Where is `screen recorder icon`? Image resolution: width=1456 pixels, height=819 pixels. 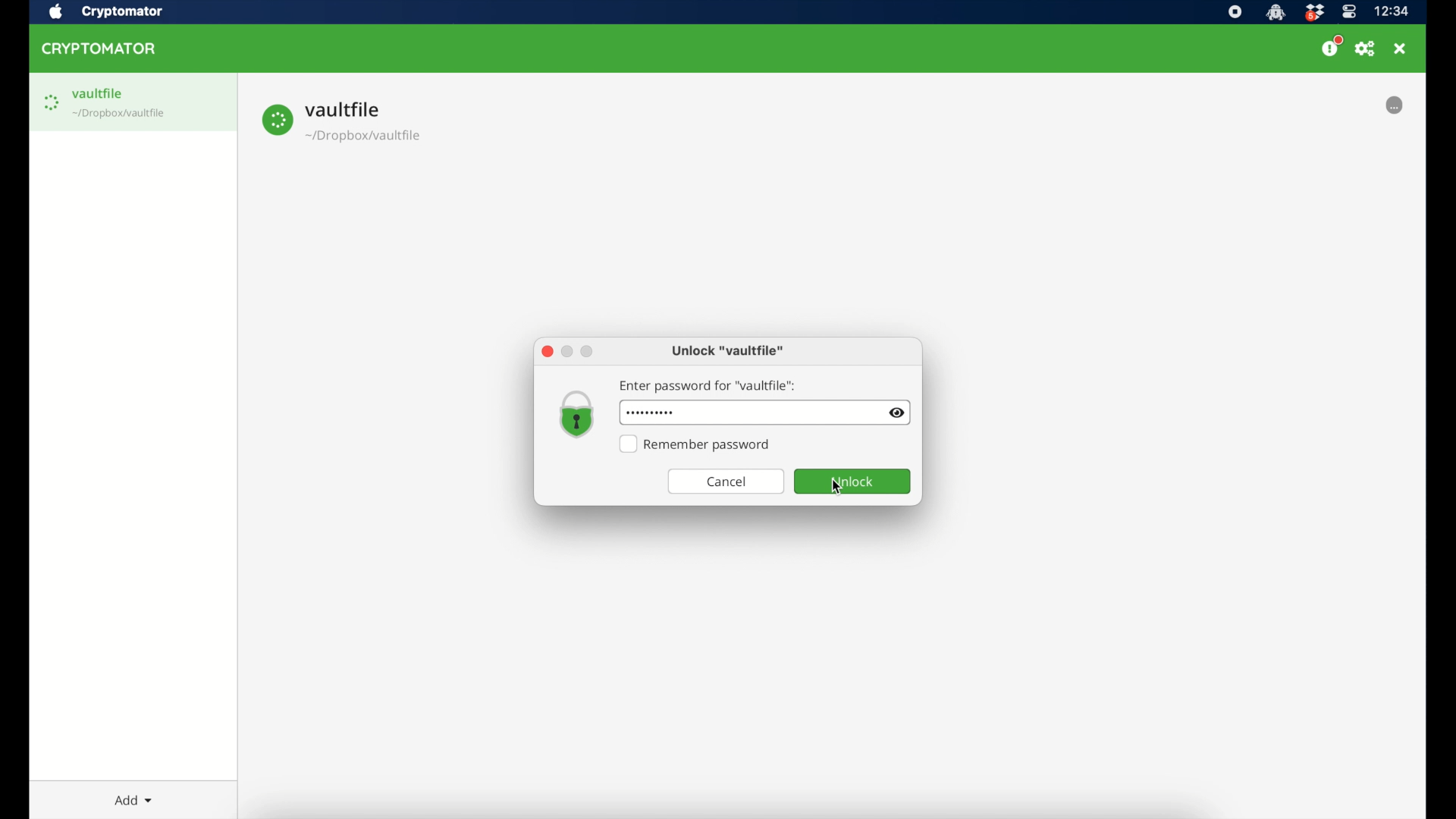 screen recorder icon is located at coordinates (1236, 11).